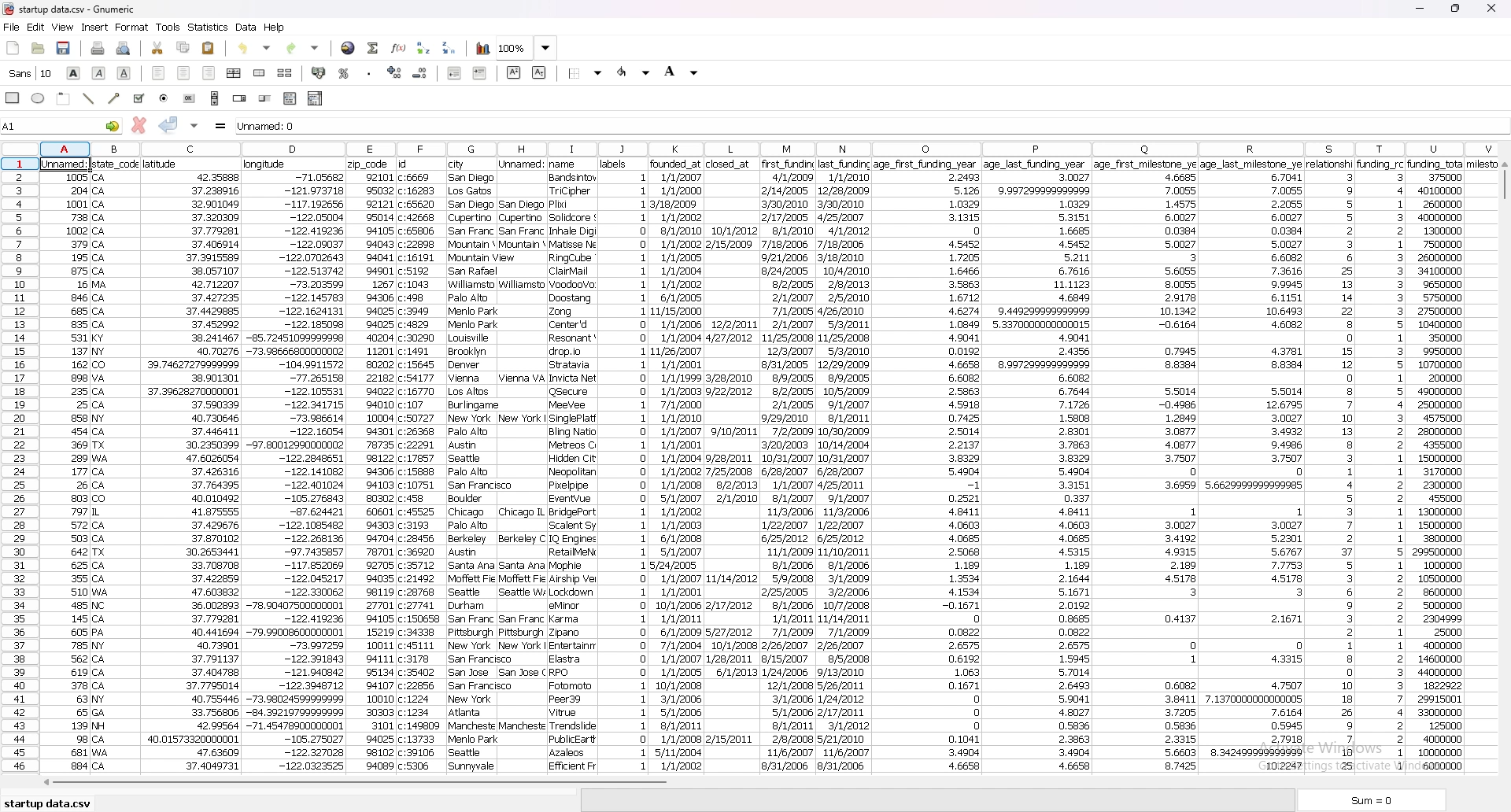 This screenshot has height=812, width=1511. I want to click on data, so click(194, 464).